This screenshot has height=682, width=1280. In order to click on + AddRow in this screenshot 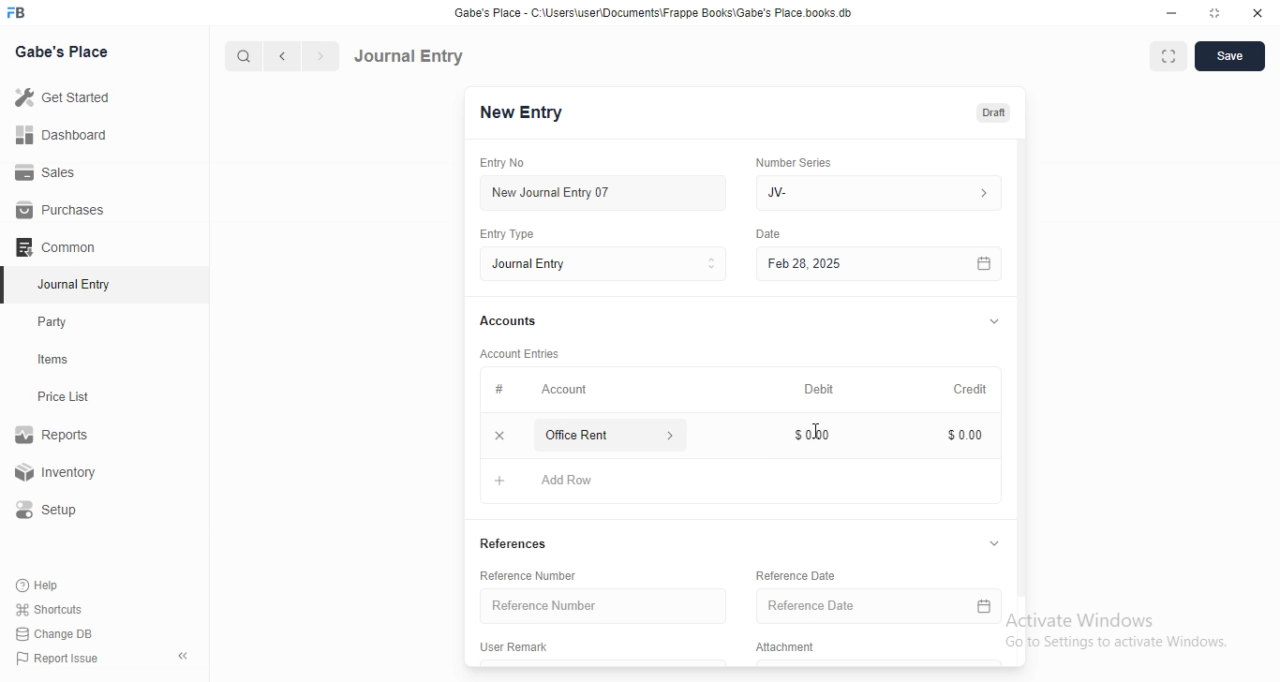, I will do `click(545, 484)`.